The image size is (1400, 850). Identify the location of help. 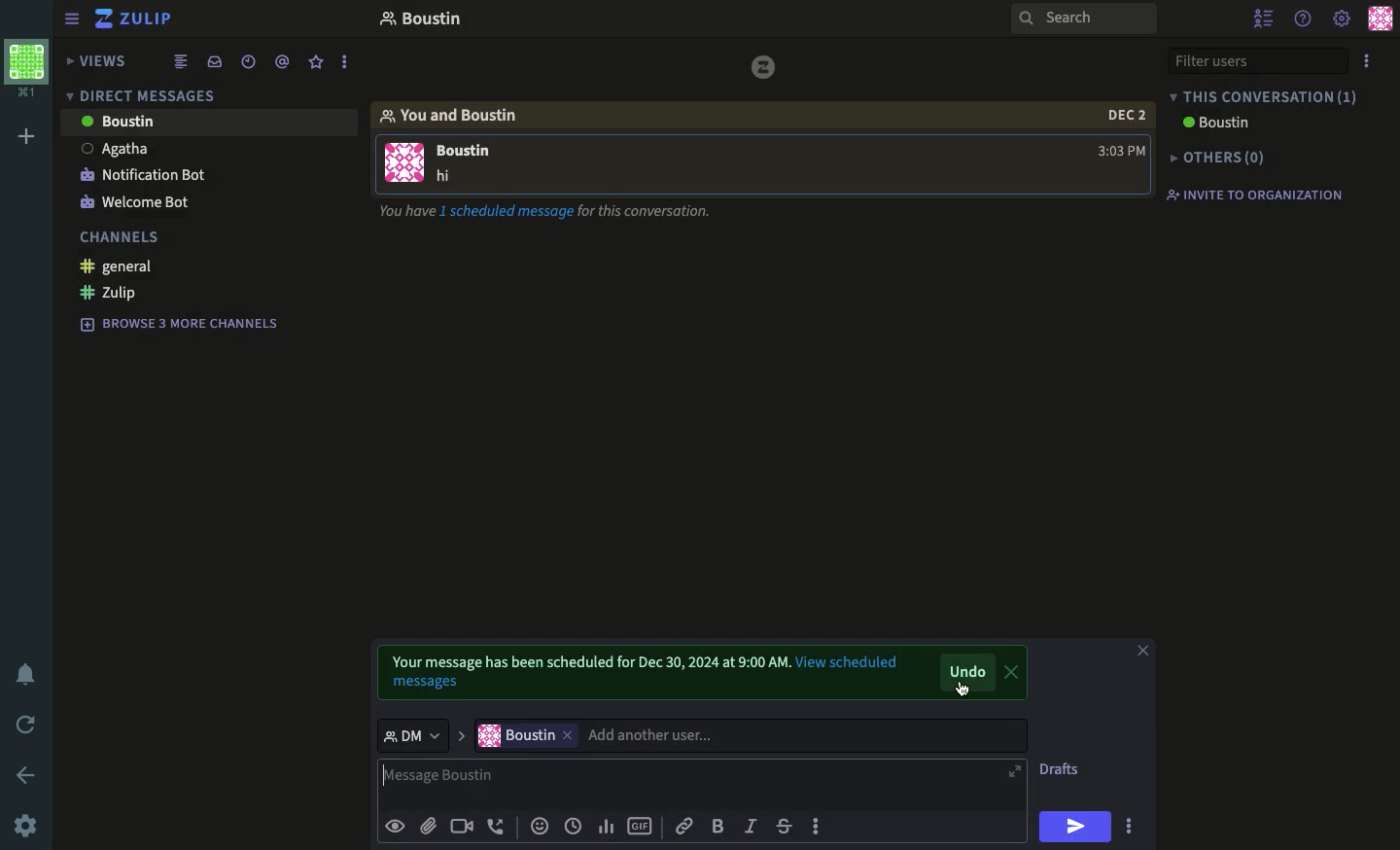
(1304, 18).